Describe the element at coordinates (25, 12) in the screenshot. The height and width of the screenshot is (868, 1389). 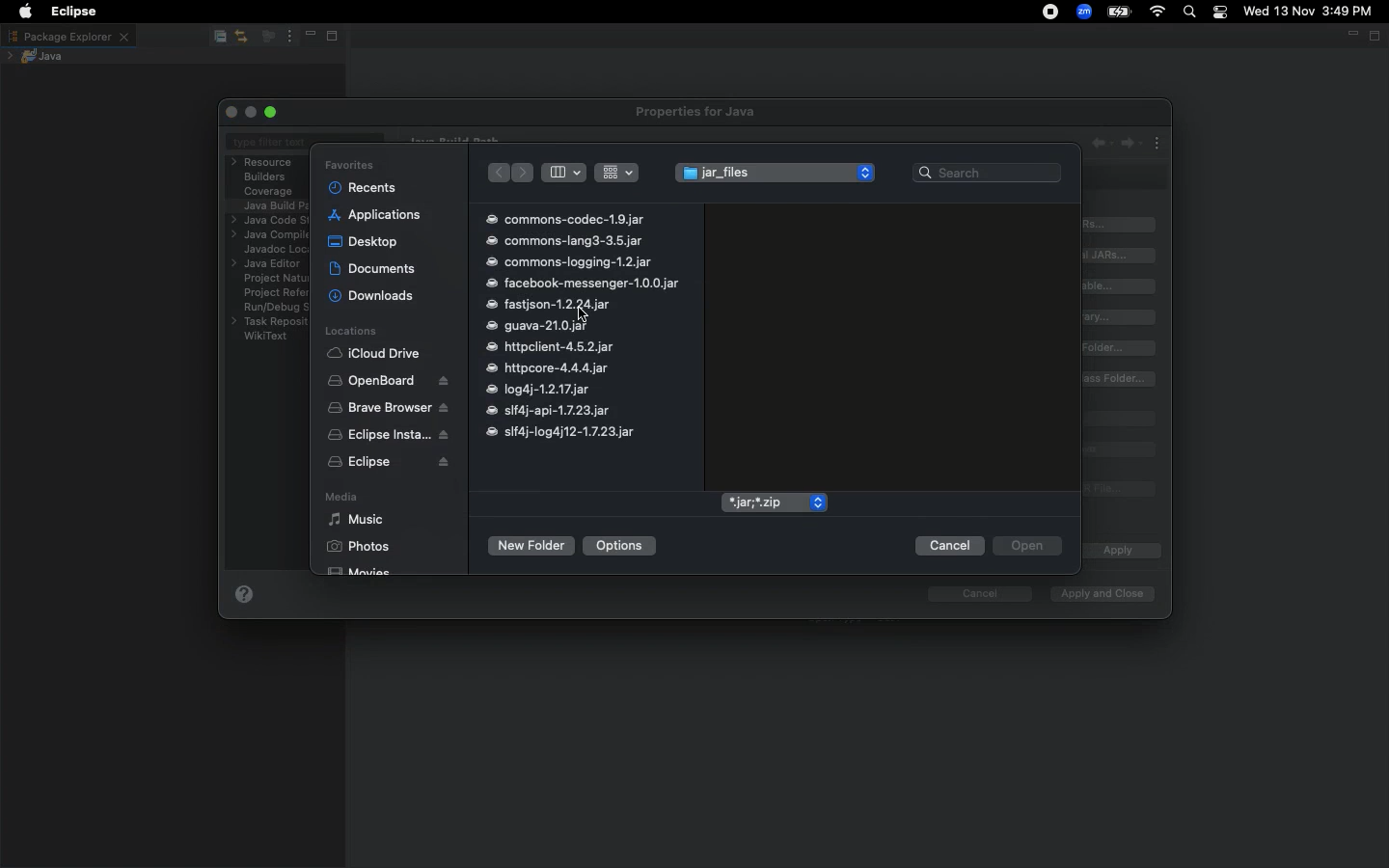
I see `Apple logo` at that location.